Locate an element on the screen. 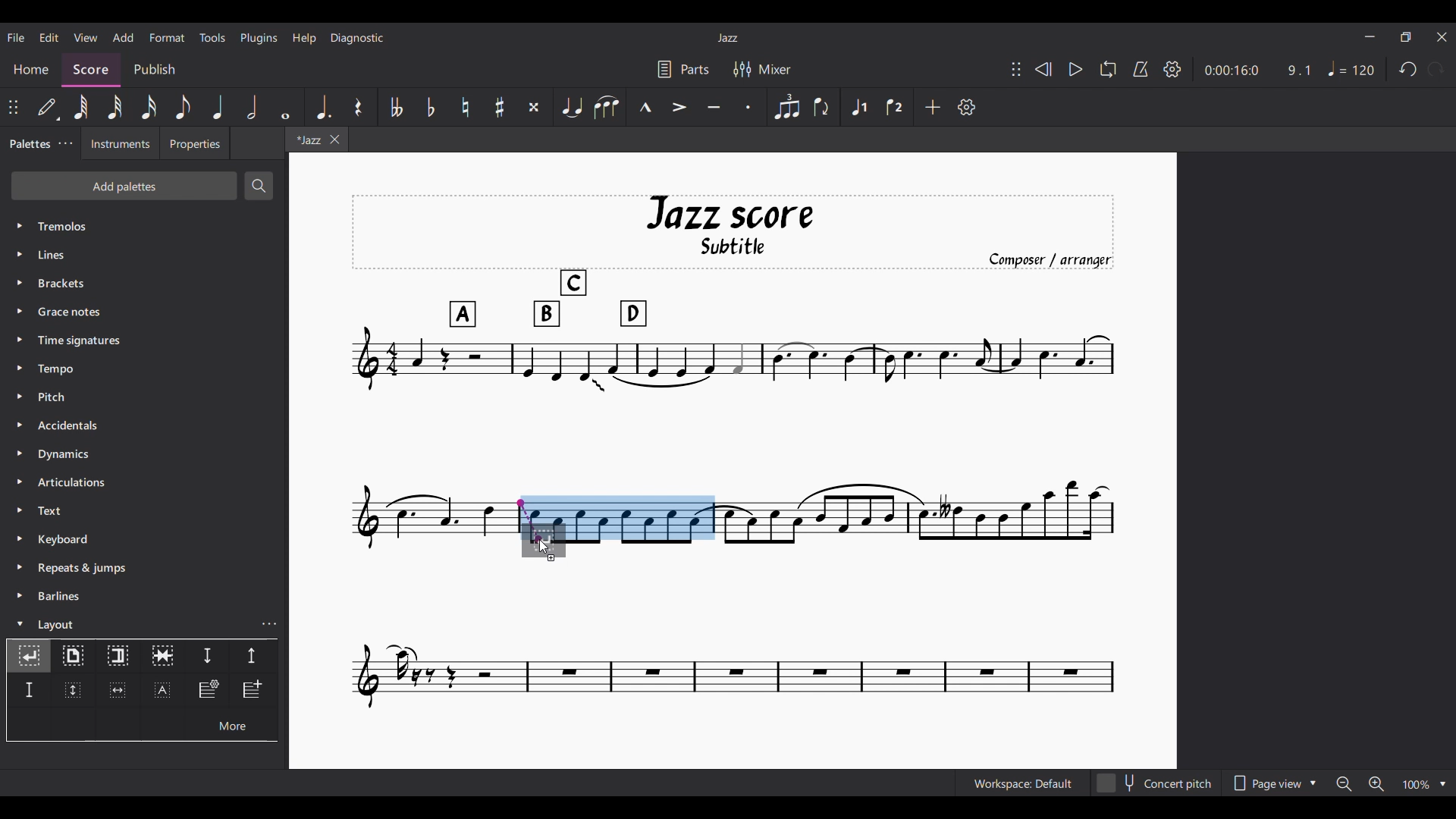 The width and height of the screenshot is (1456, 819). Tempo is located at coordinates (1351, 68).